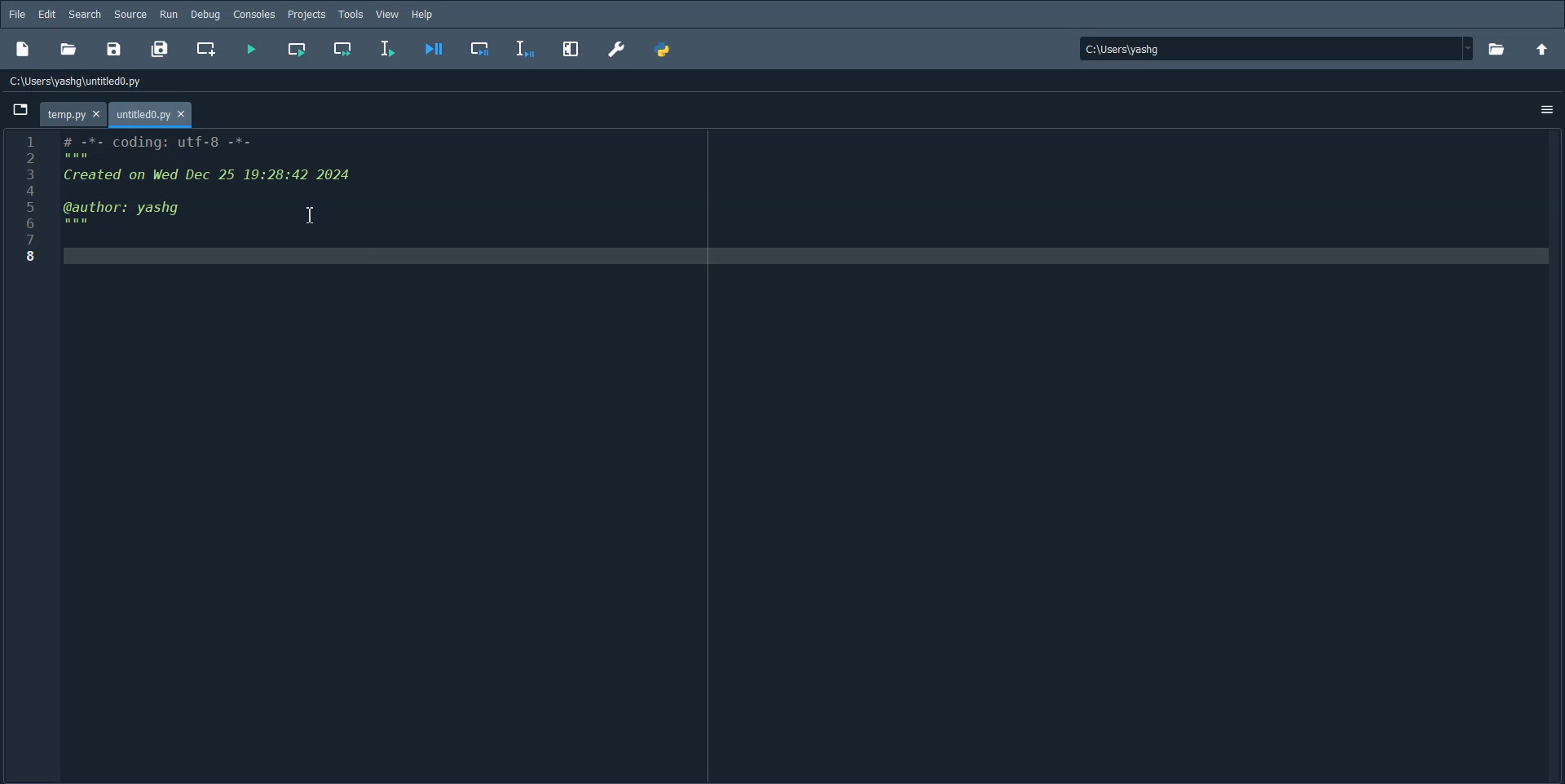 Image resolution: width=1565 pixels, height=784 pixels. I want to click on Edit, so click(47, 15).